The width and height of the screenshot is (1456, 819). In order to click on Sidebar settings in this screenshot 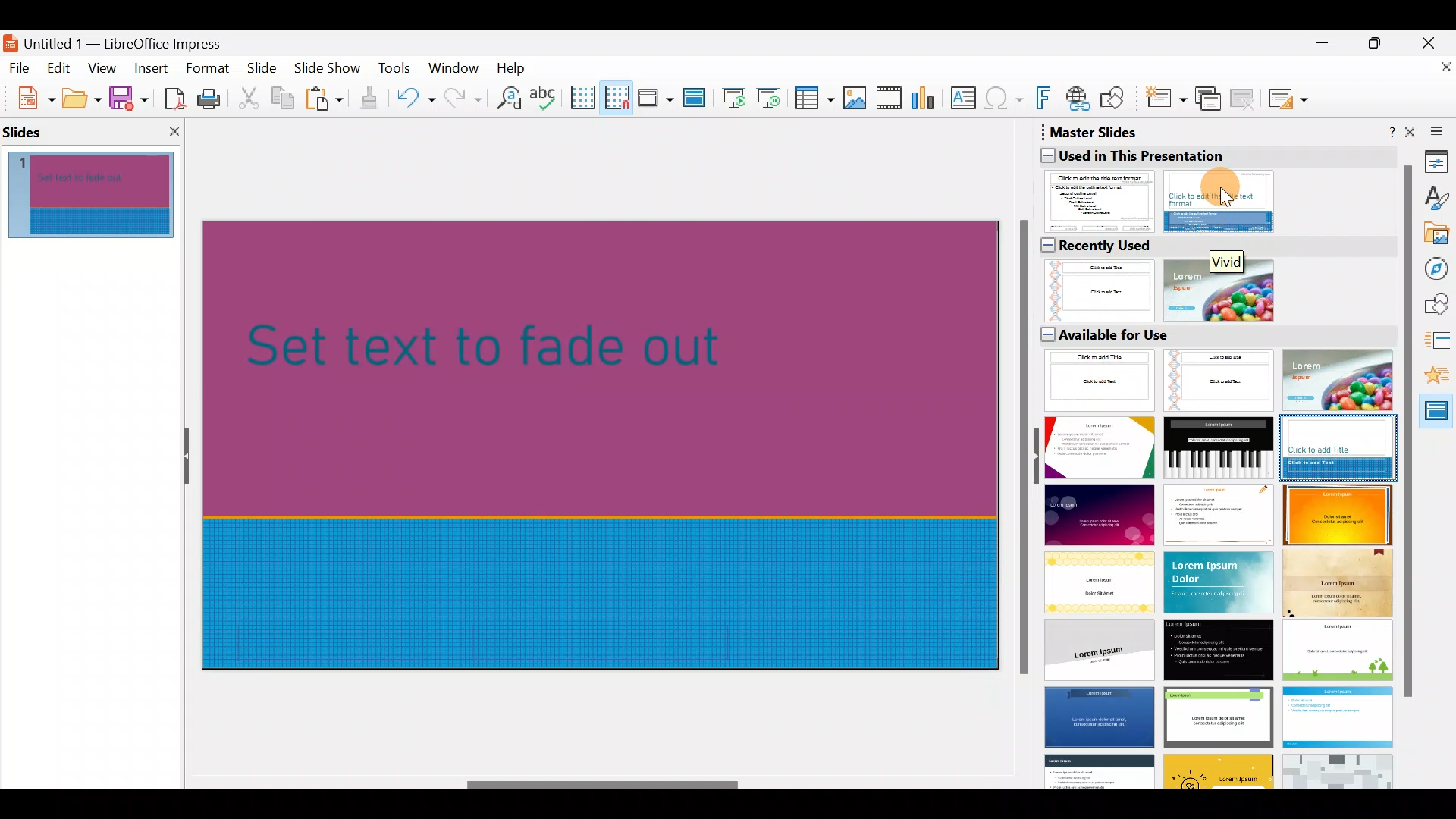, I will do `click(1434, 130)`.